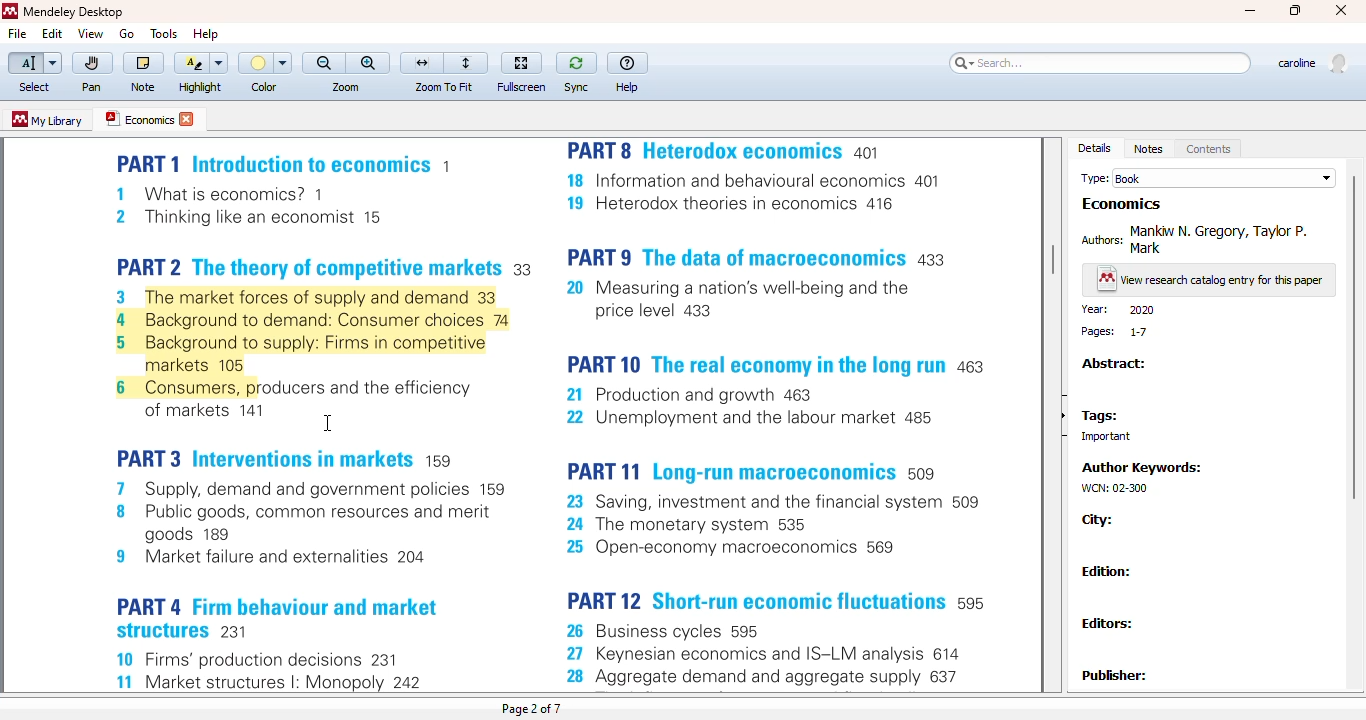  I want to click on zoom out, so click(324, 63).